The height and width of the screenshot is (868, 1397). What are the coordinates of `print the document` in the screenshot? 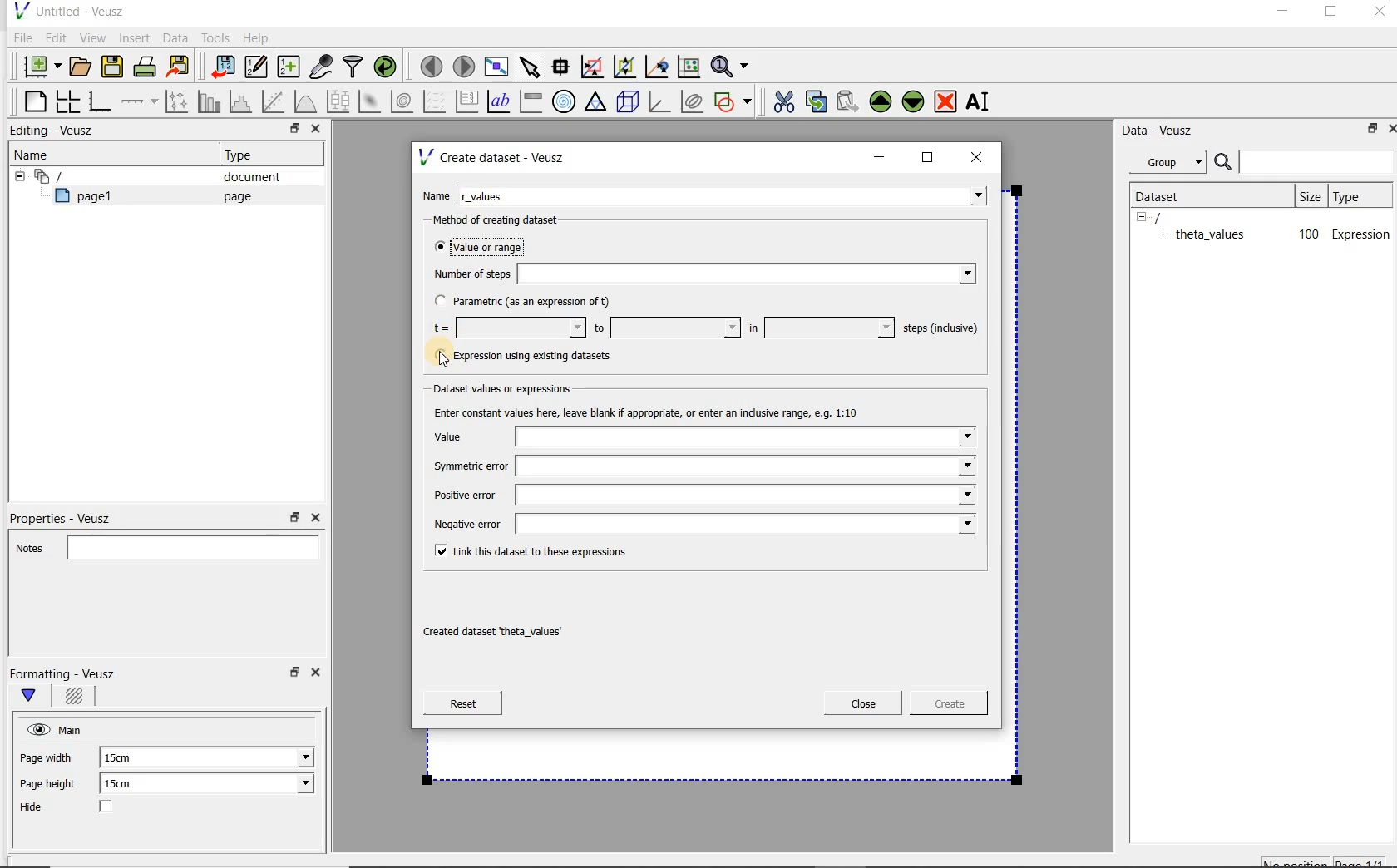 It's located at (148, 66).